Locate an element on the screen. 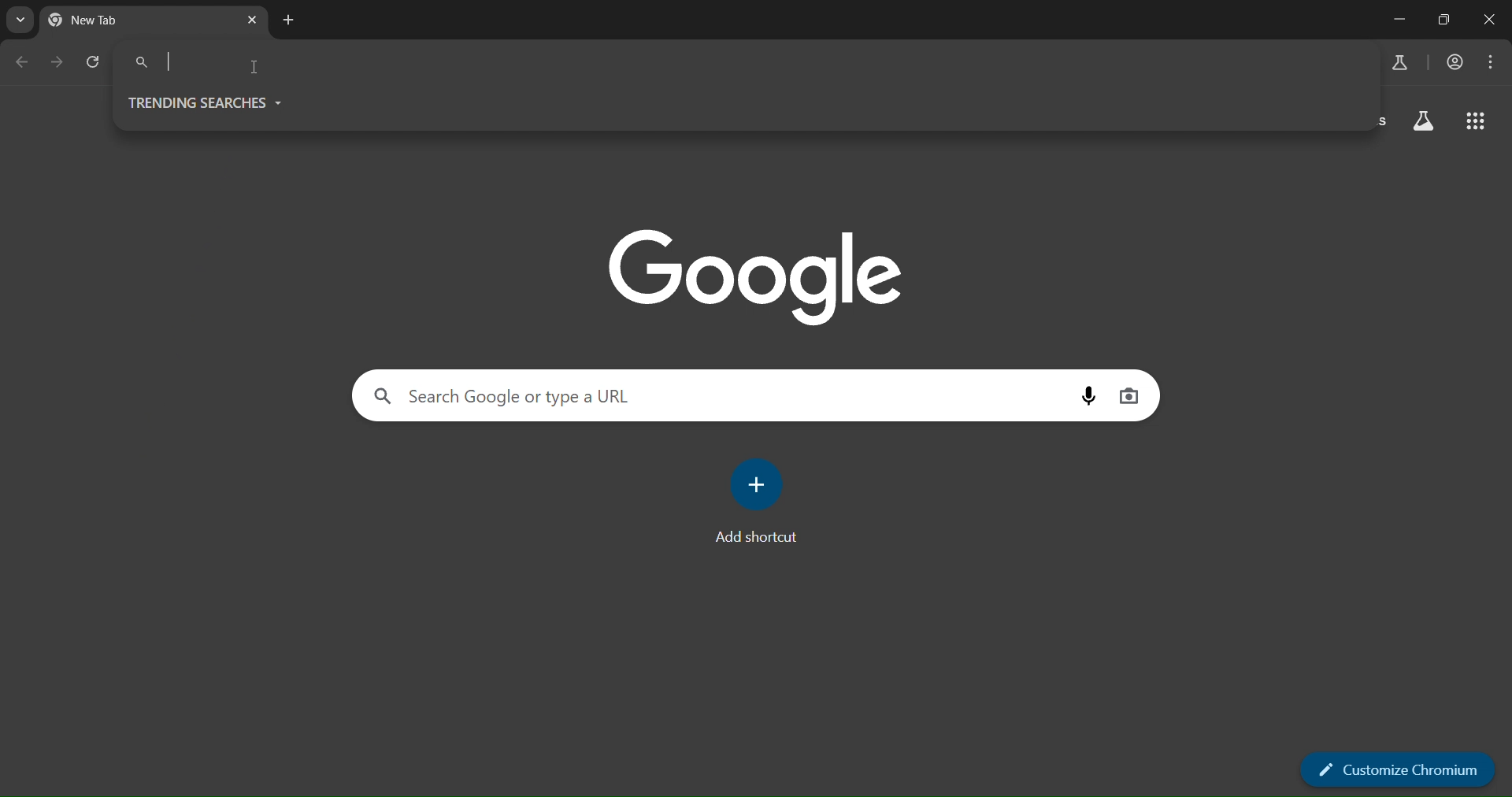  voice search is located at coordinates (1090, 395).